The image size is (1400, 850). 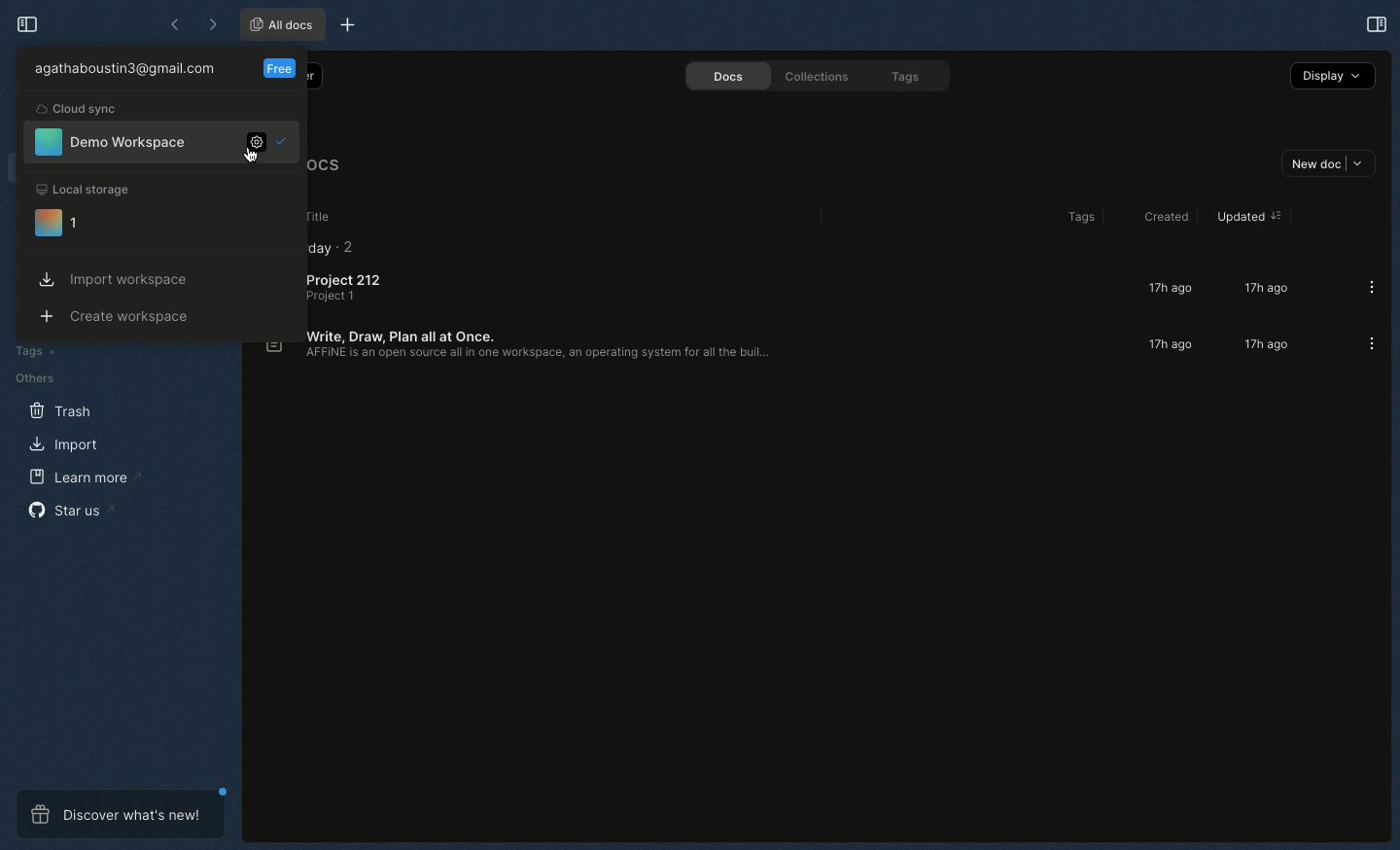 What do you see at coordinates (122, 70) in the screenshot?
I see `agathaboustin3@gmail.com` at bounding box center [122, 70].